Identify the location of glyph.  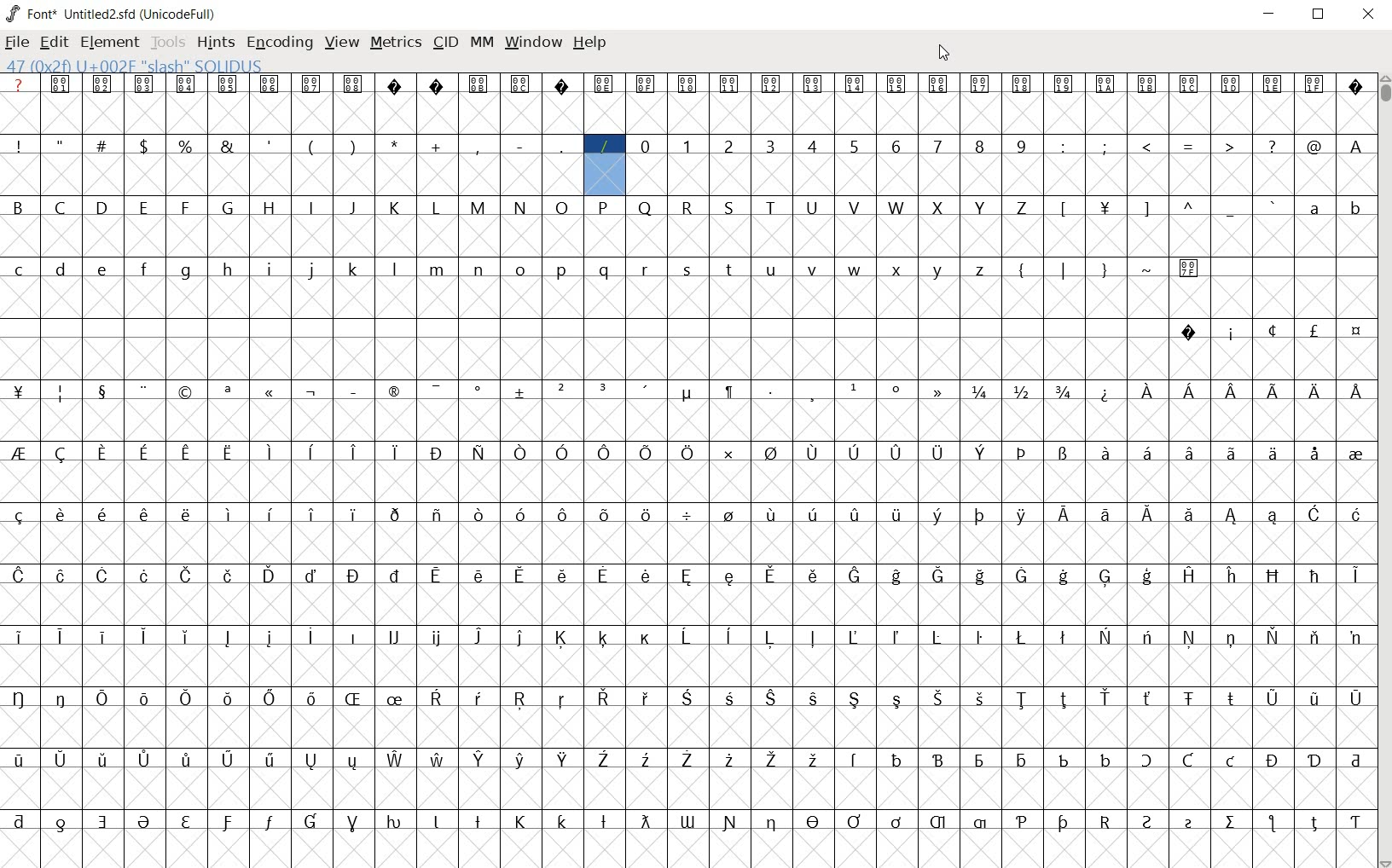
(898, 760).